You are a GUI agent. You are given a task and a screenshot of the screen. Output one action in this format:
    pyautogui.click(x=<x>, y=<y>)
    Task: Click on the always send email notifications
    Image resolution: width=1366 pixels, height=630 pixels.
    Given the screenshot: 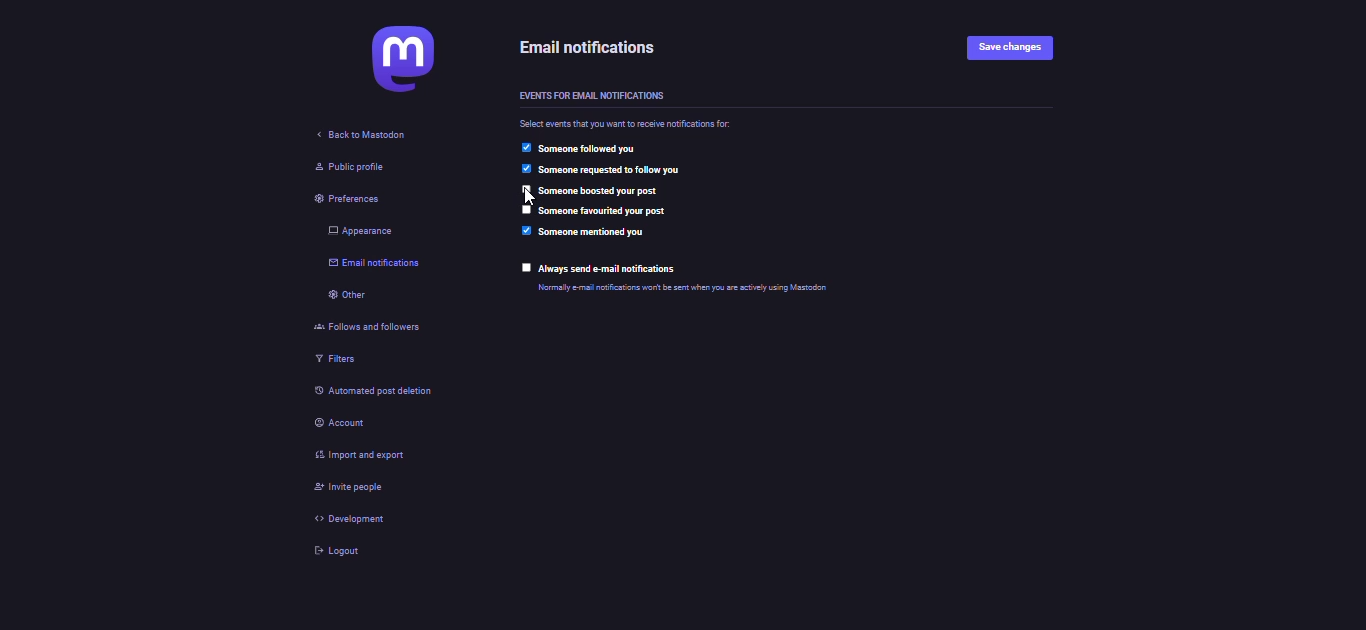 What is the action you would take?
    pyautogui.click(x=617, y=269)
    